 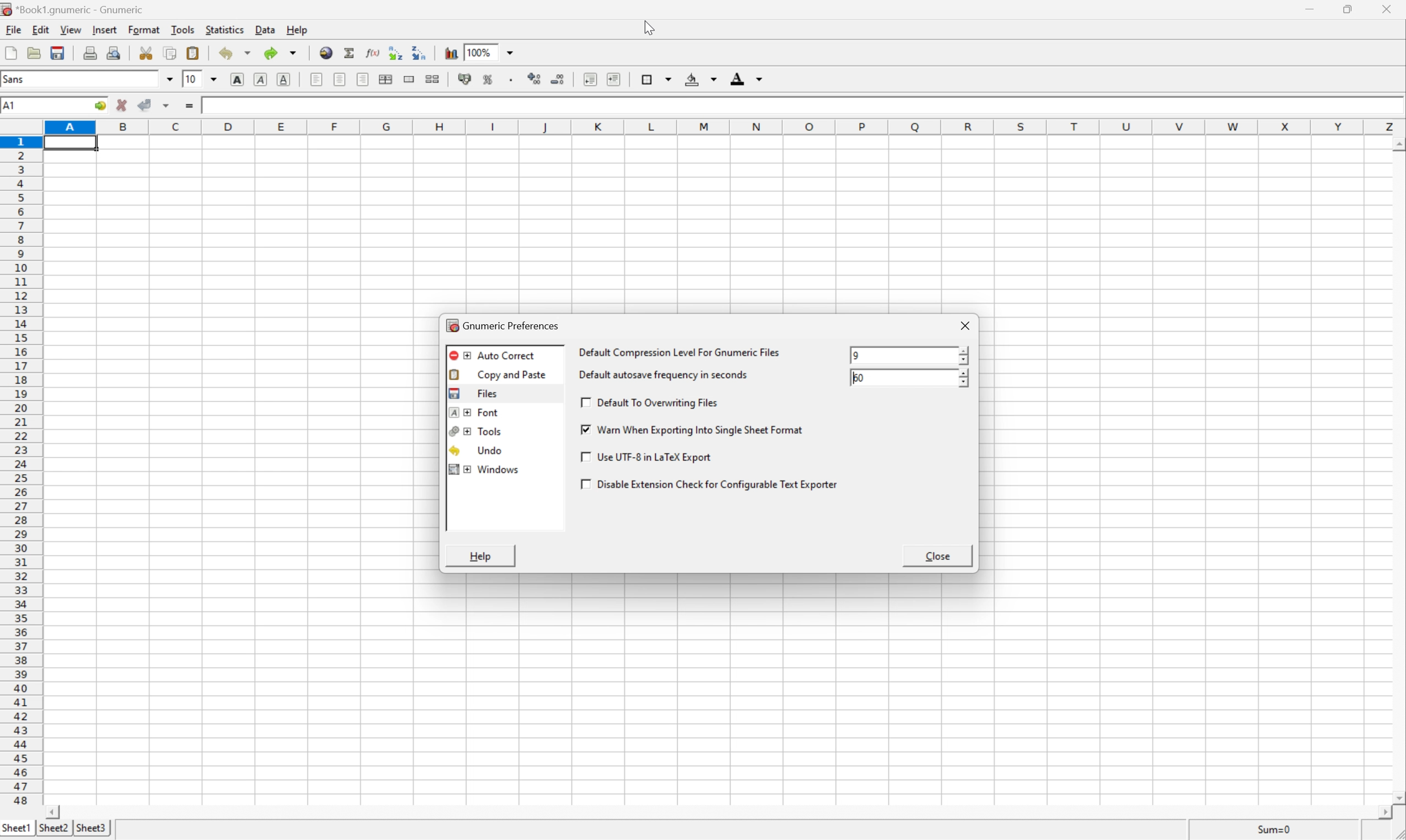 What do you see at coordinates (113, 52) in the screenshot?
I see `print preview` at bounding box center [113, 52].